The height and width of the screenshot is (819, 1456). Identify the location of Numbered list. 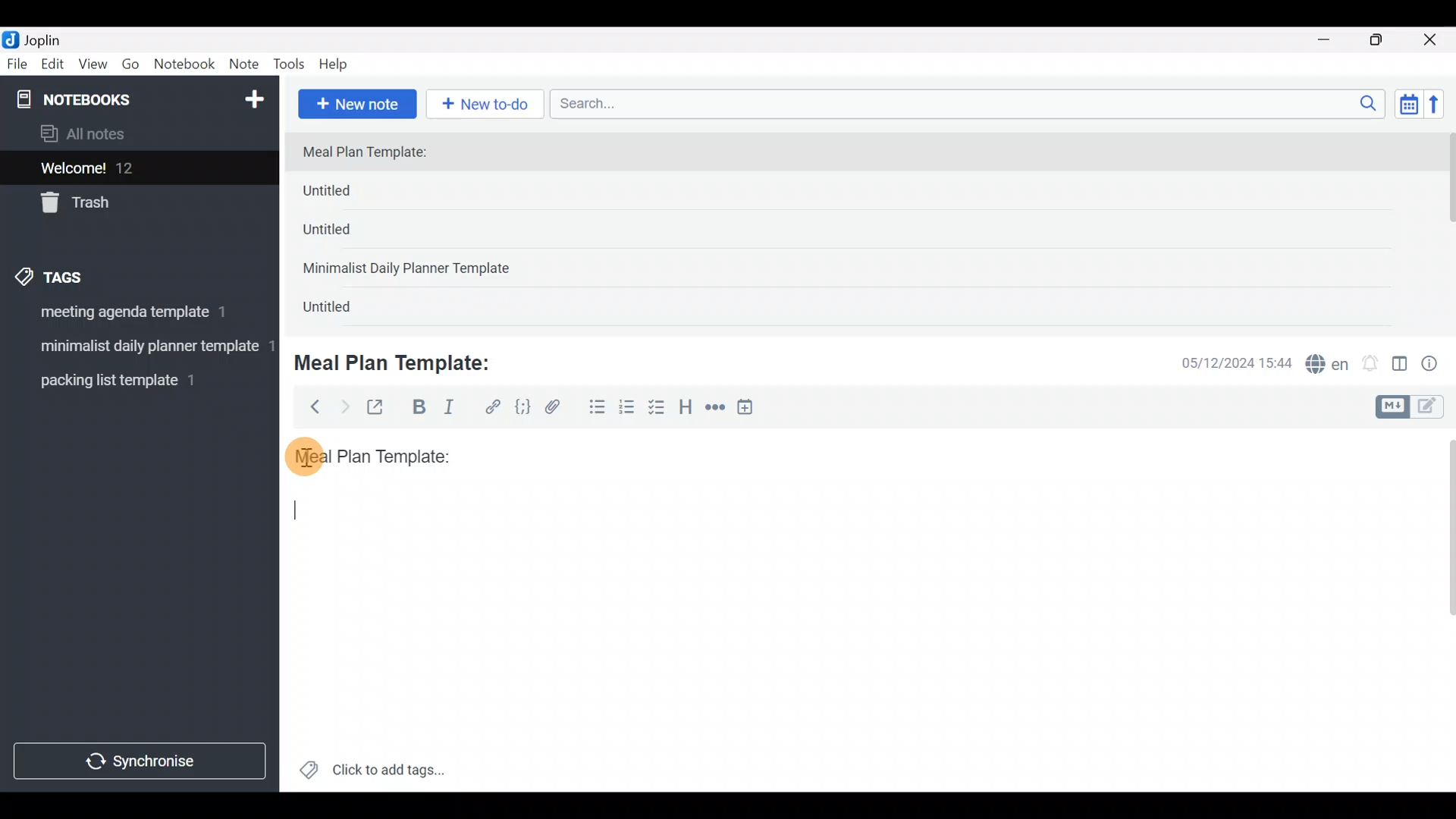
(627, 410).